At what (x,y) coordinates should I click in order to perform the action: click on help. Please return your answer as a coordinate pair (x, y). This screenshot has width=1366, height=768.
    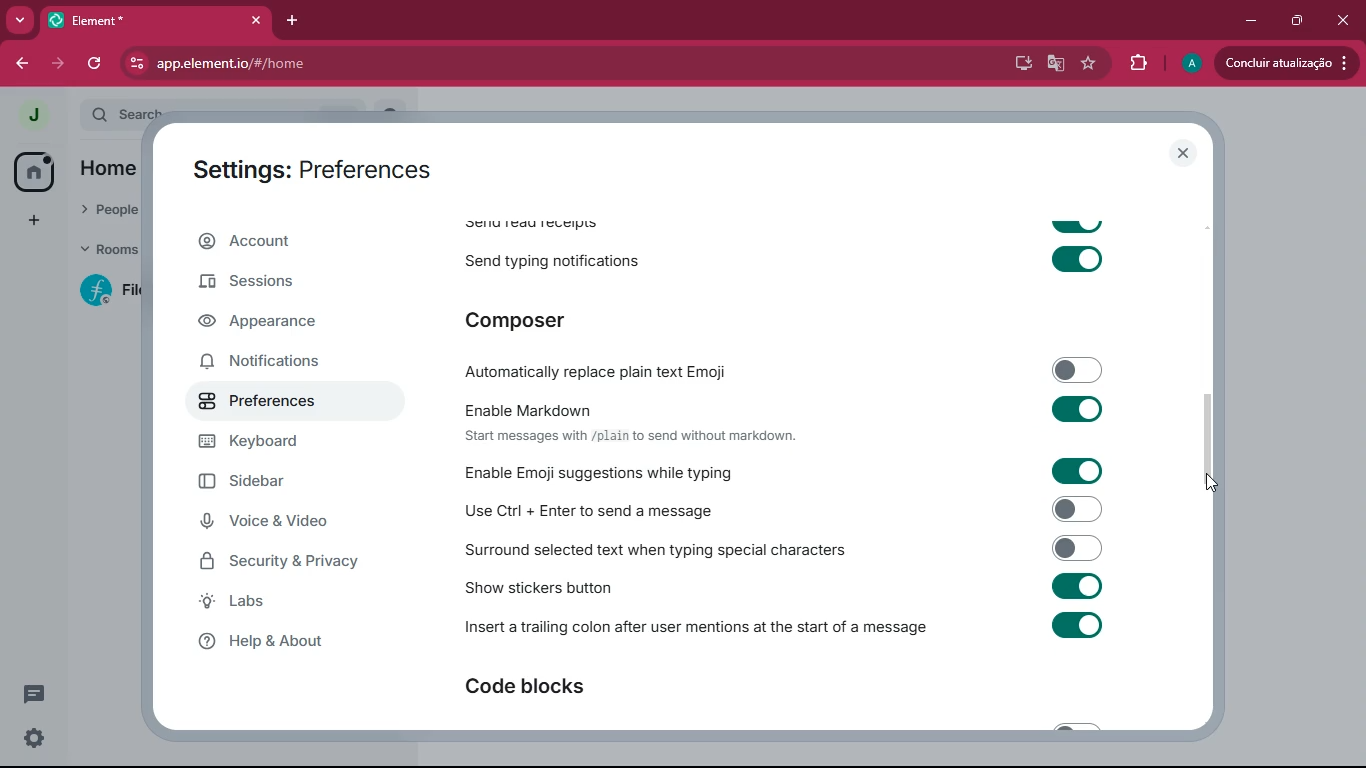
    Looking at the image, I should click on (277, 641).